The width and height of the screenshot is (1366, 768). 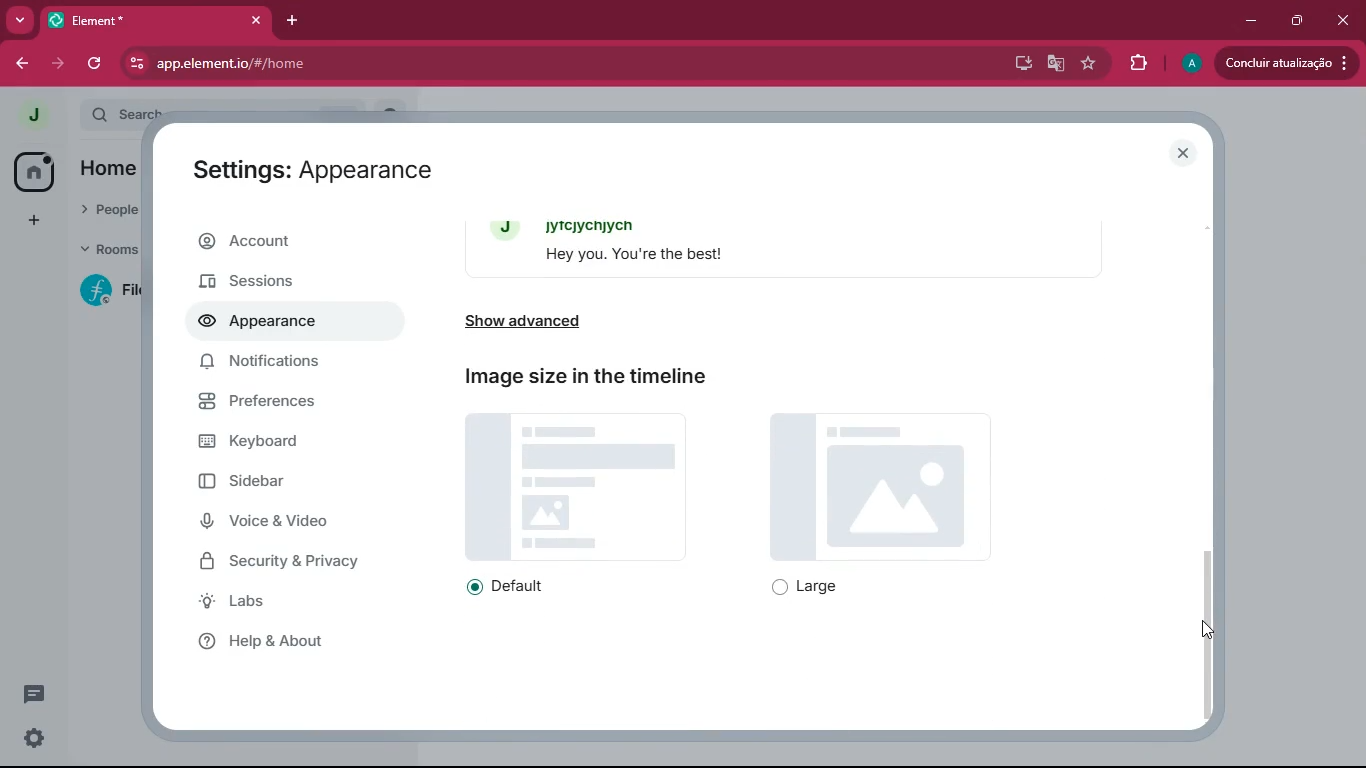 I want to click on preferences, so click(x=279, y=408).